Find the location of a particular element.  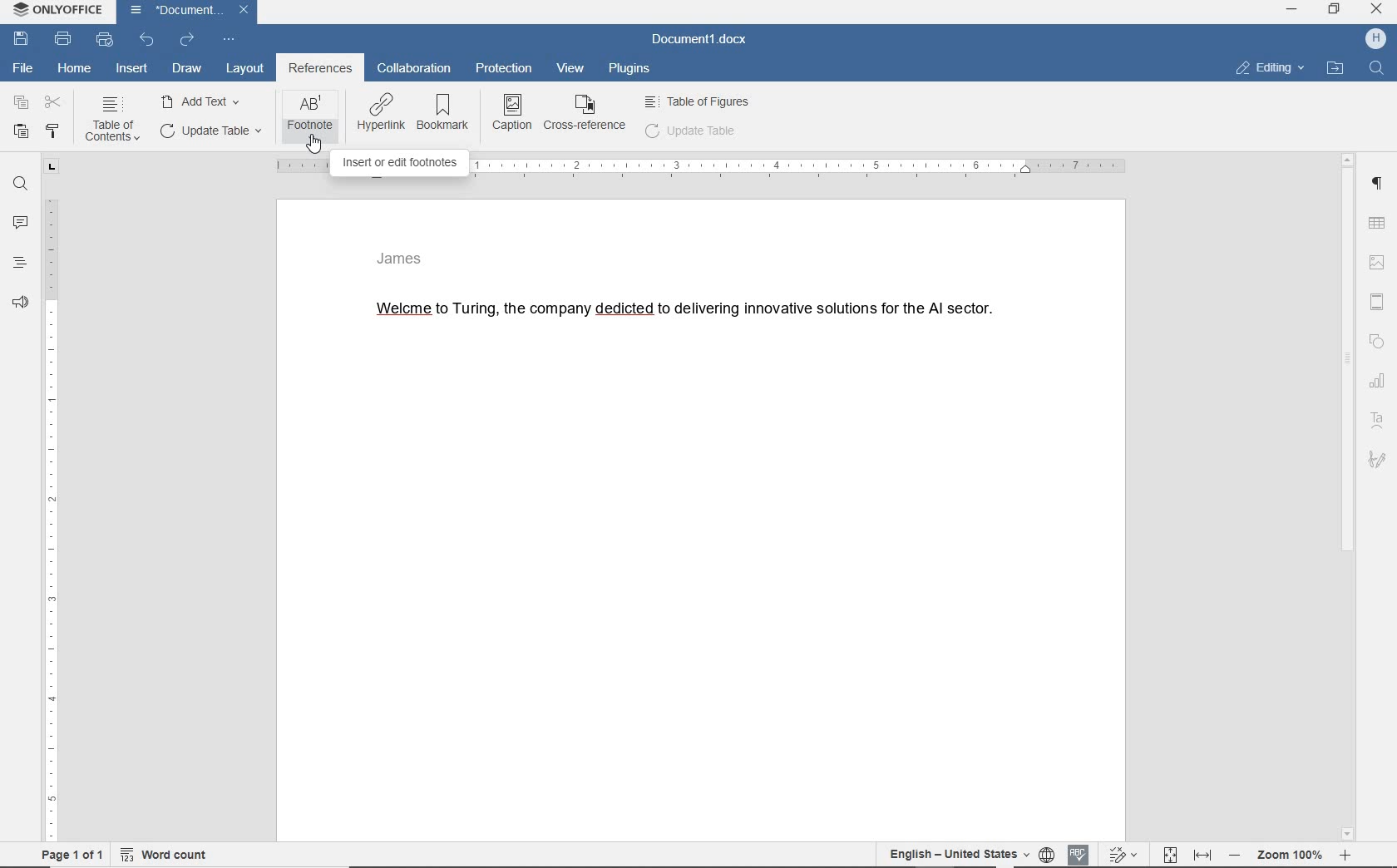

TABLE is located at coordinates (1380, 224).